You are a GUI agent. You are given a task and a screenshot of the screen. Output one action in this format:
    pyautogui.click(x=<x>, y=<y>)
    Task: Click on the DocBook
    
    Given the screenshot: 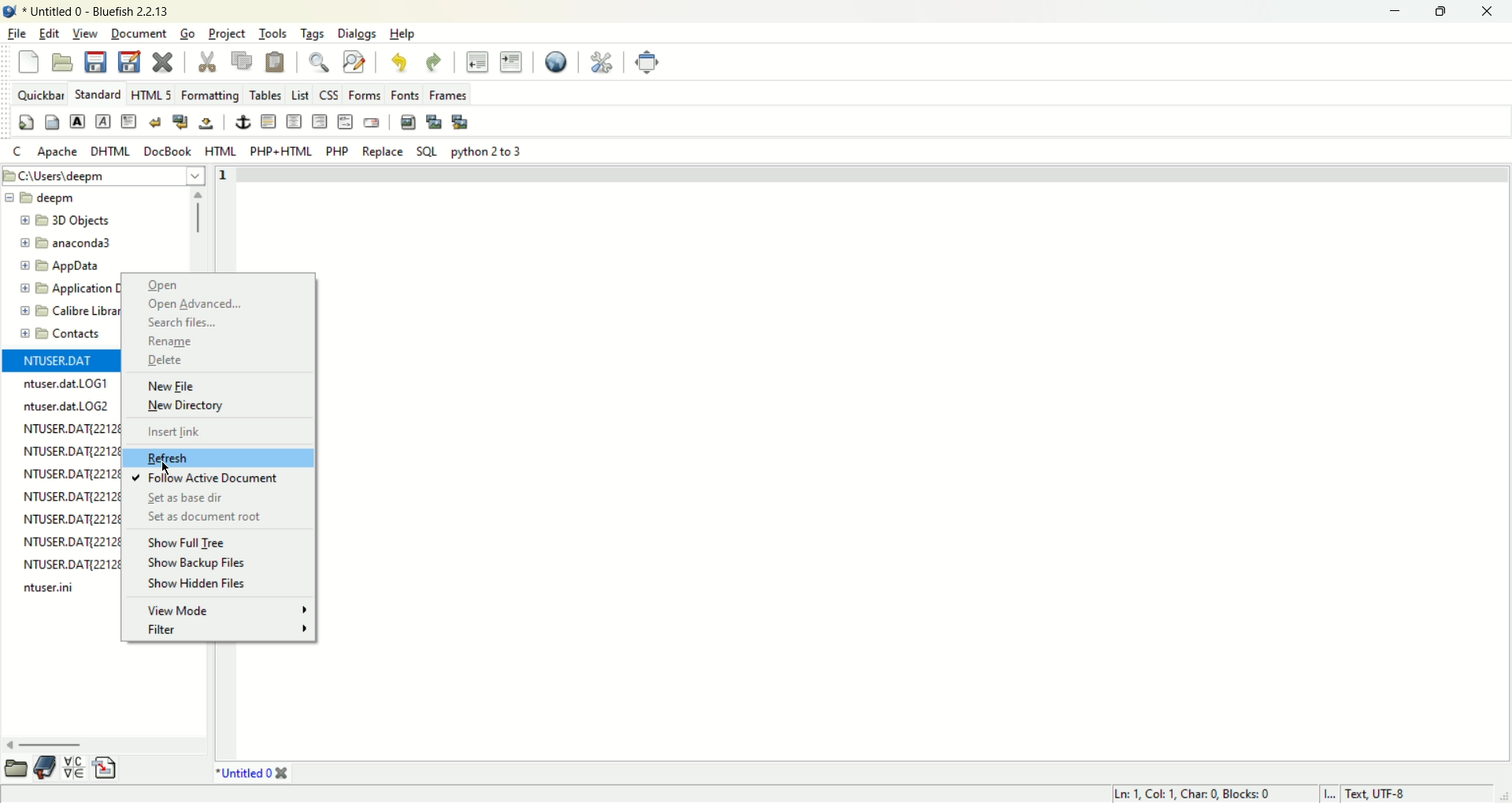 What is the action you would take?
    pyautogui.click(x=166, y=150)
    